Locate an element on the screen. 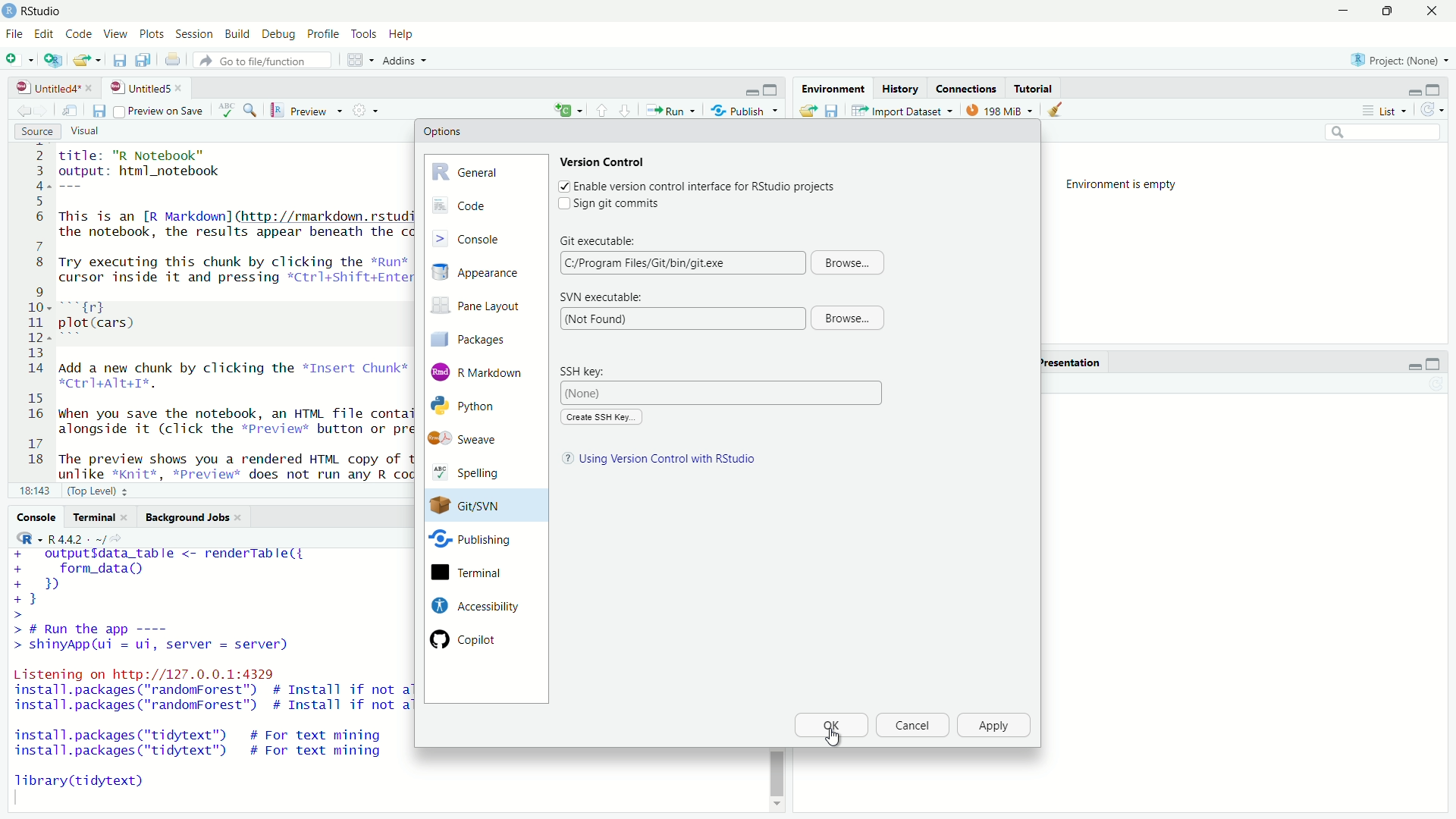 This screenshot has height=819, width=1456. Preview on save is located at coordinates (158, 111).